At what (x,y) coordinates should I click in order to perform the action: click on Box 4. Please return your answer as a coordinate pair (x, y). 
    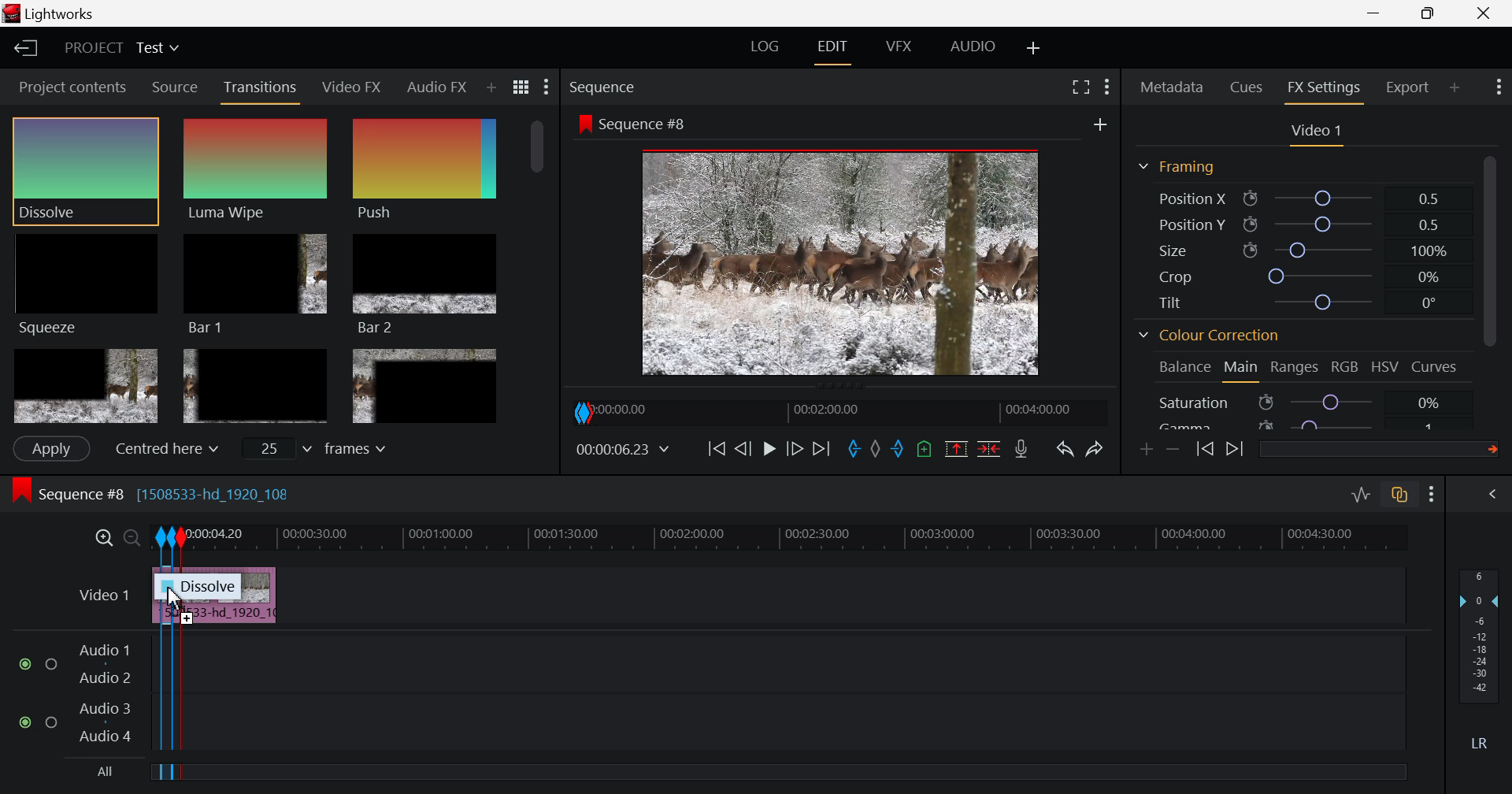
    Looking at the image, I should click on (84, 387).